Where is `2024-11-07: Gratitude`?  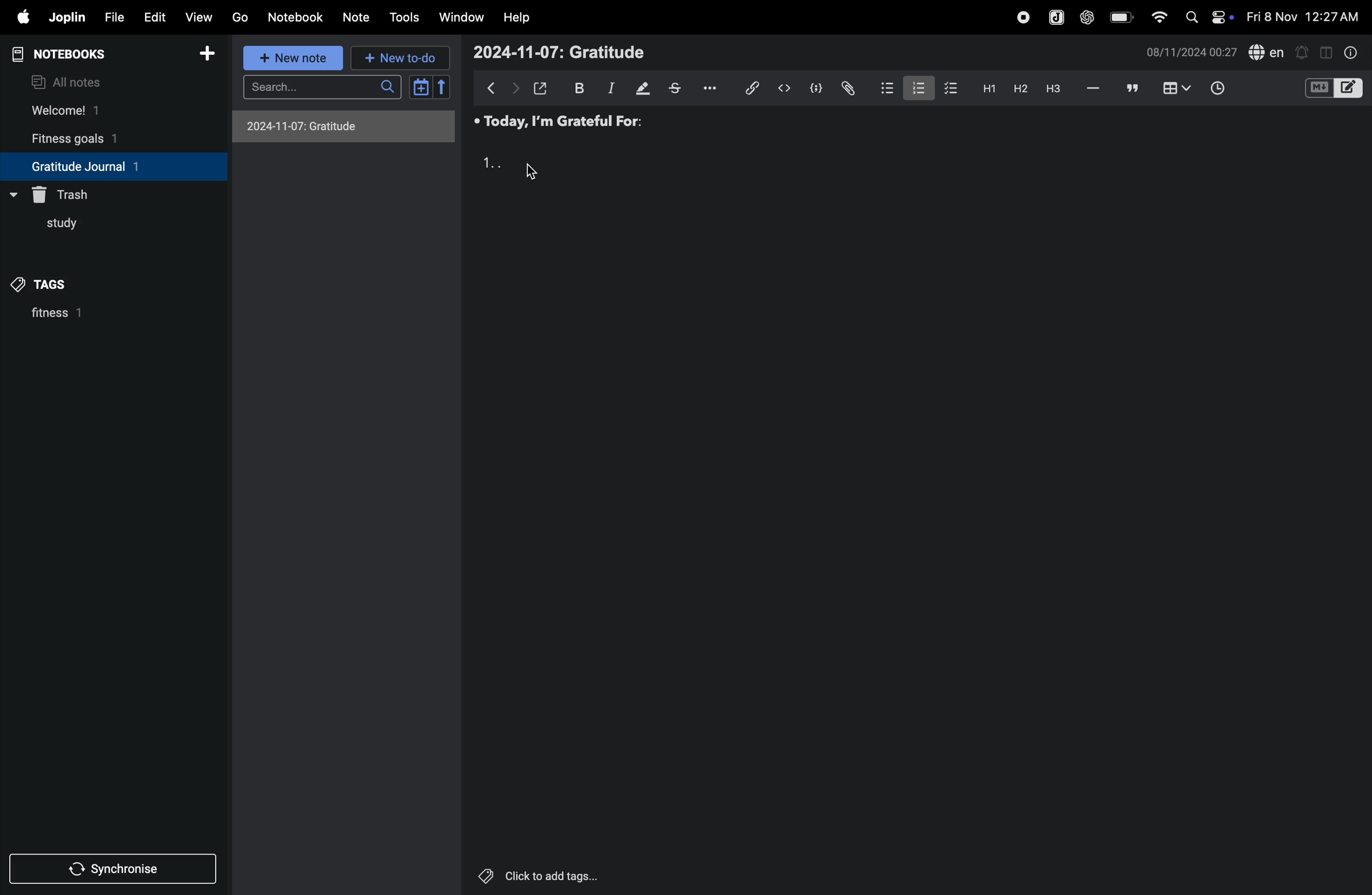 2024-11-07: Gratitude is located at coordinates (344, 126).